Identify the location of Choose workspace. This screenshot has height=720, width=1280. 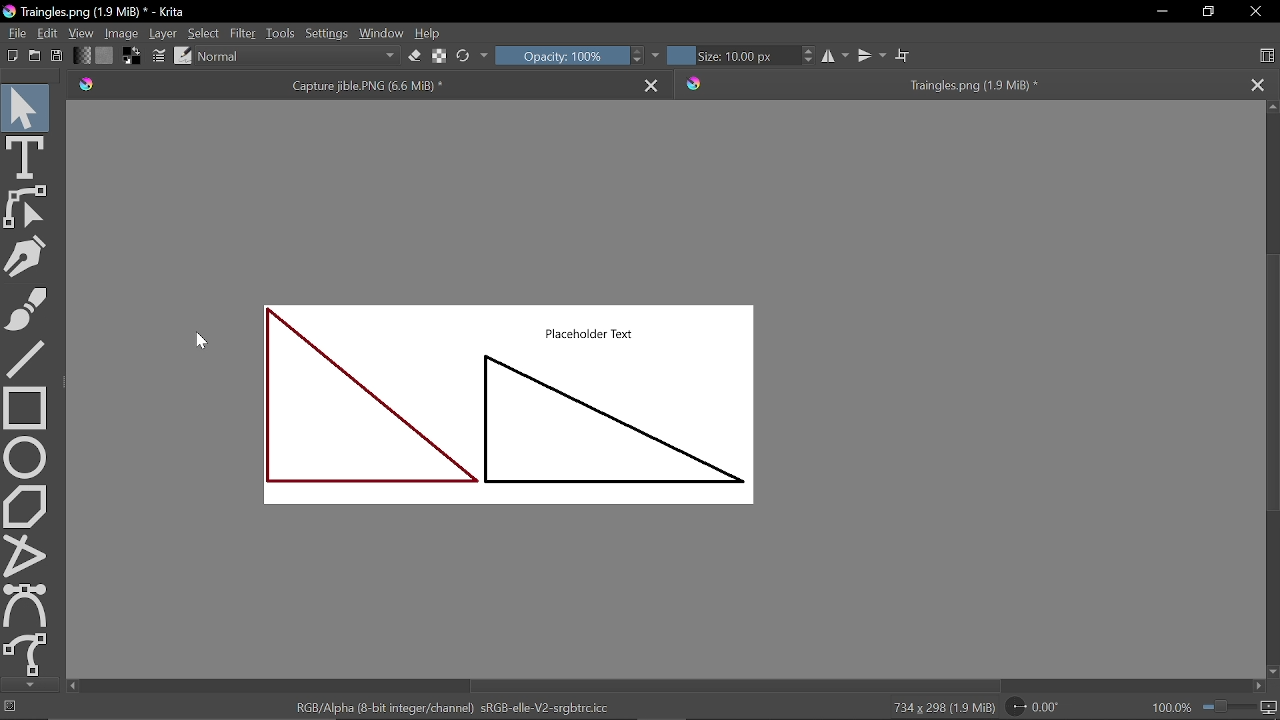
(1270, 56).